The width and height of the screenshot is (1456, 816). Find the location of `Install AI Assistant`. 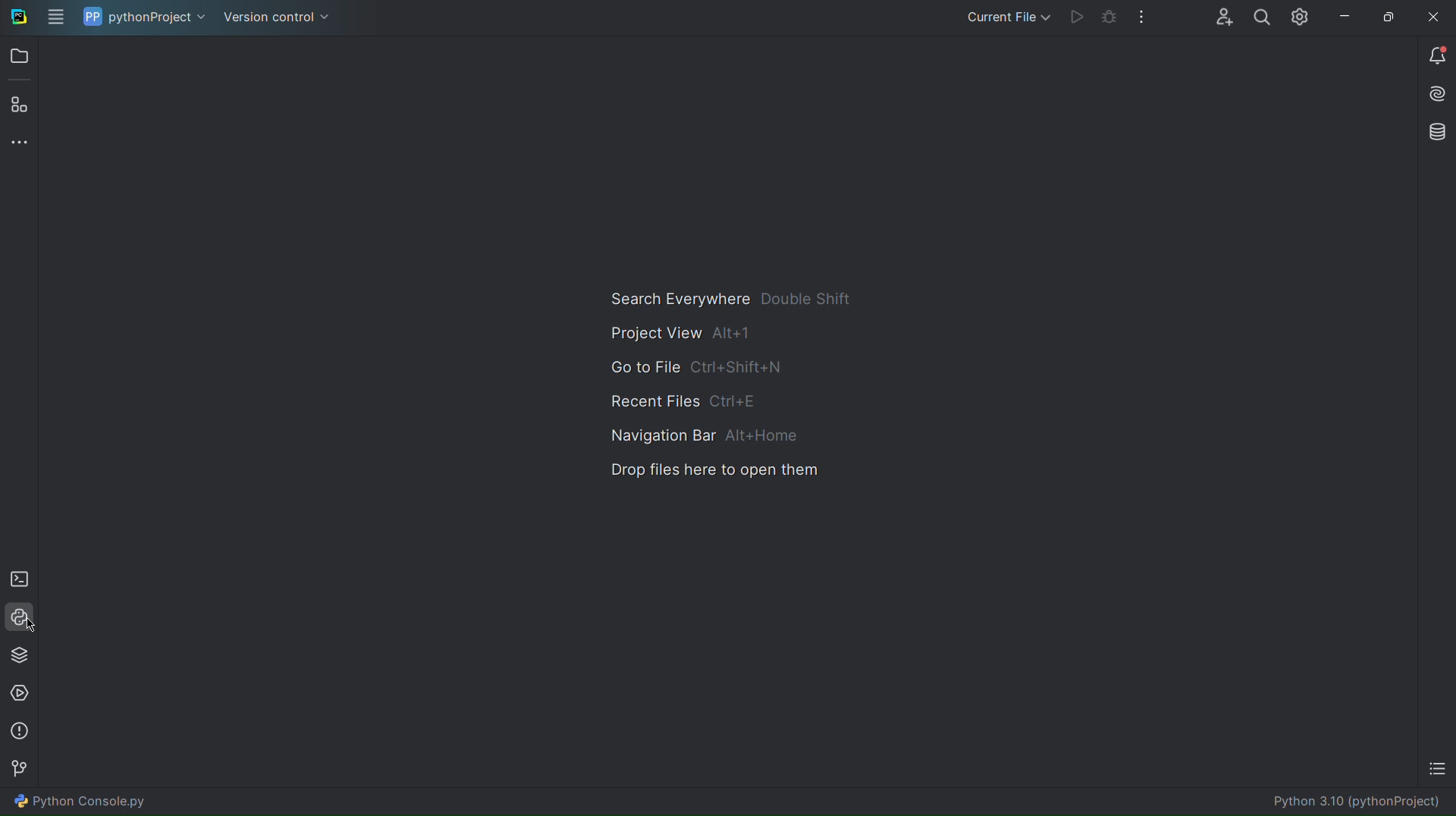

Install AI Assistant is located at coordinates (1436, 94).